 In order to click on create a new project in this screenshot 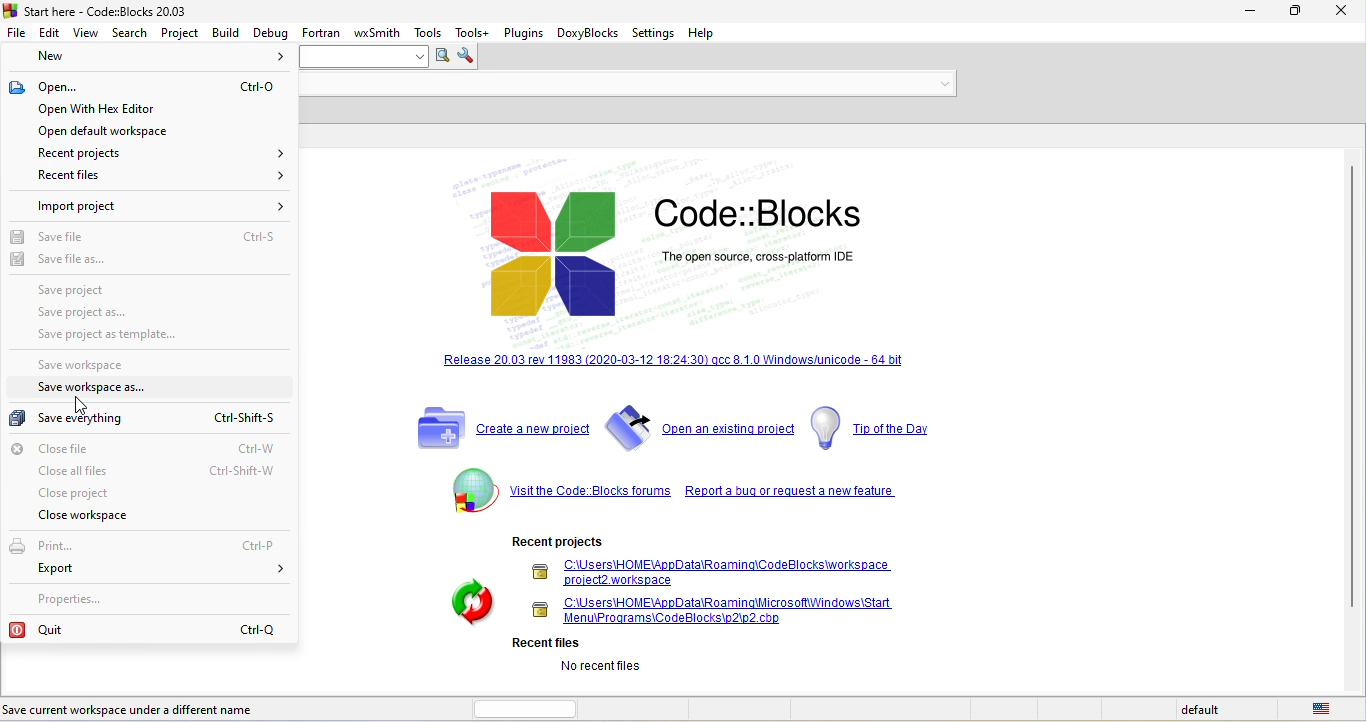, I will do `click(498, 428)`.